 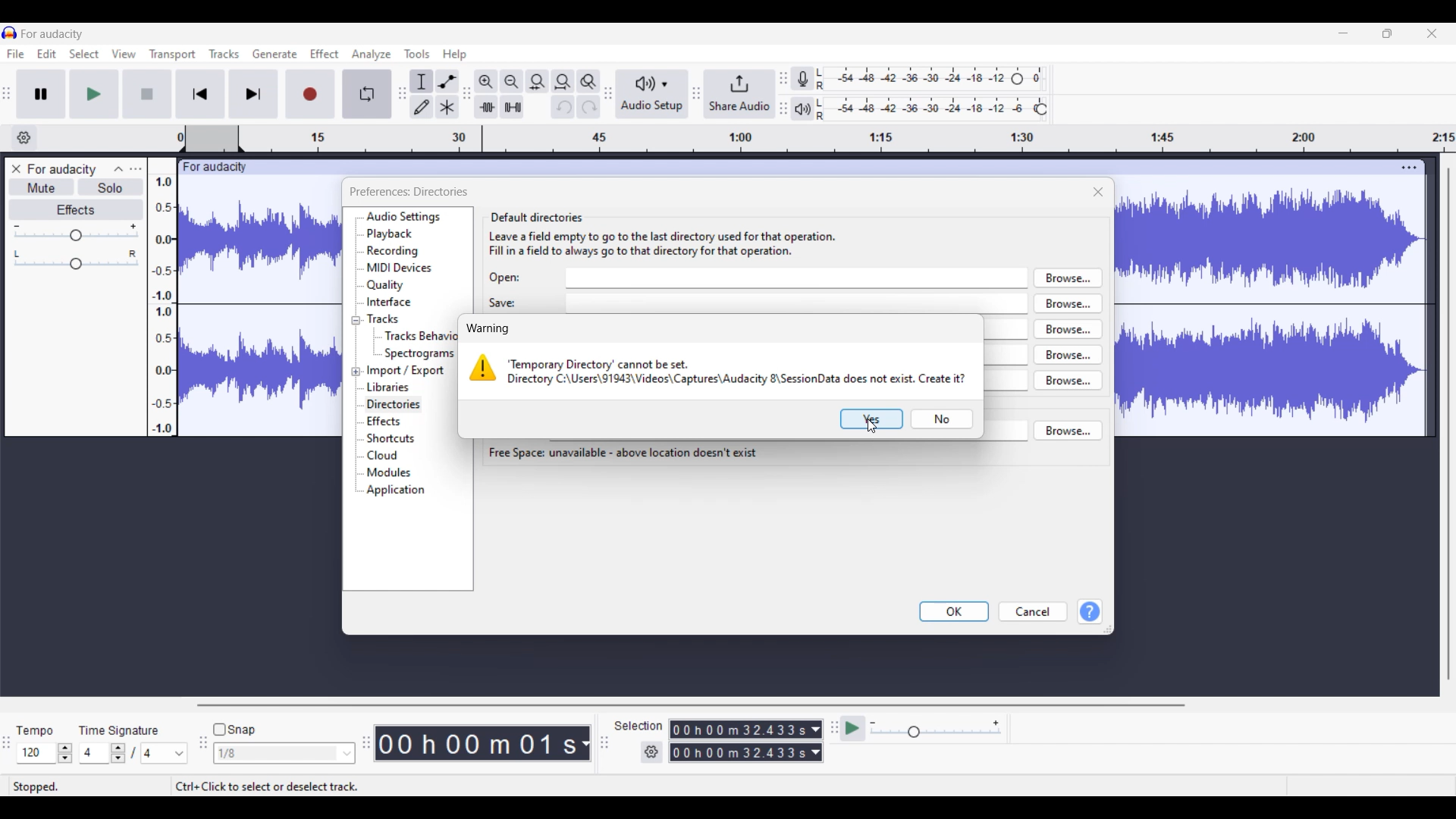 What do you see at coordinates (1432, 33) in the screenshot?
I see `Close interface` at bounding box center [1432, 33].